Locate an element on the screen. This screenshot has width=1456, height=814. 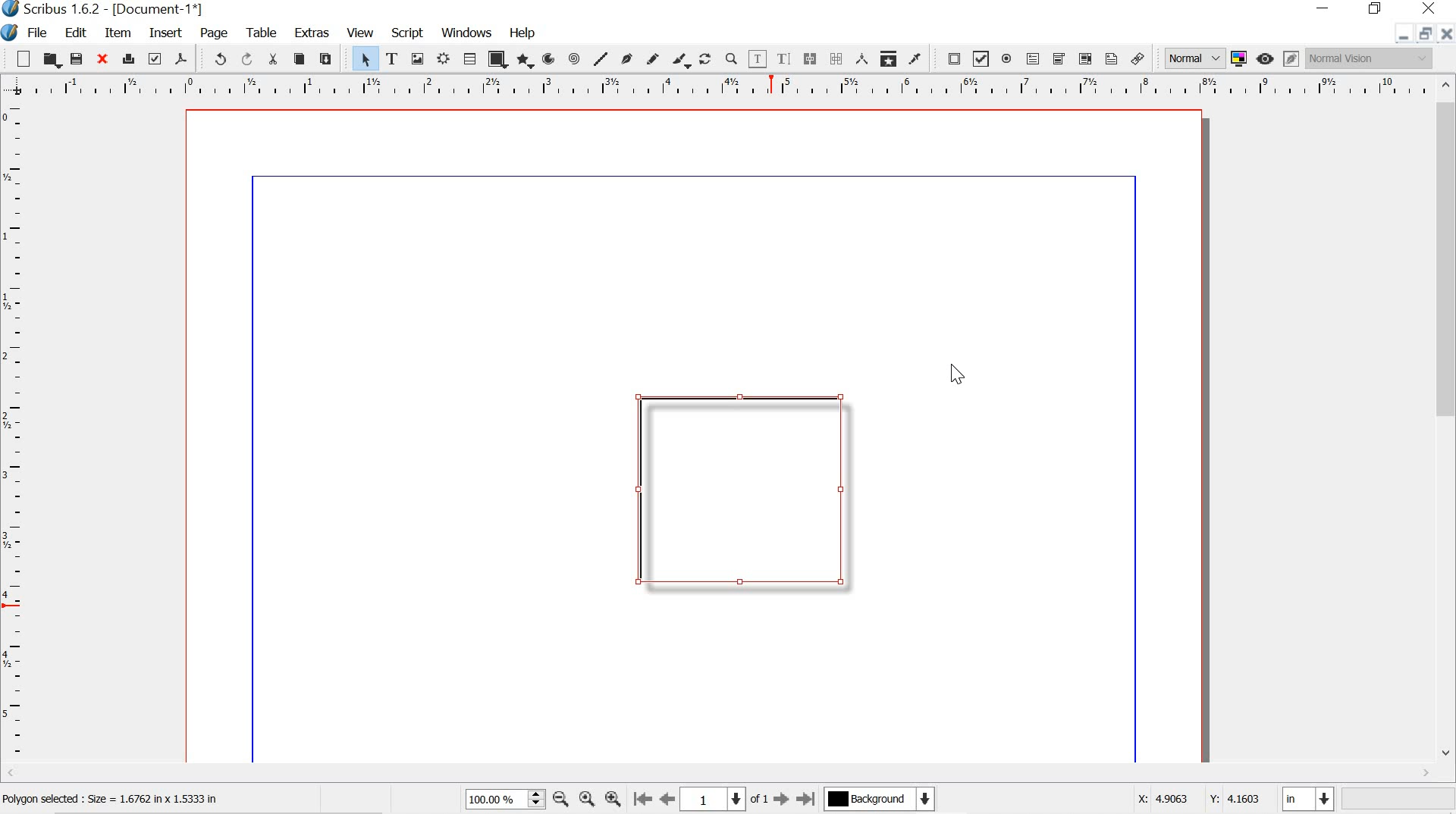
CLOSE is located at coordinates (1447, 34).